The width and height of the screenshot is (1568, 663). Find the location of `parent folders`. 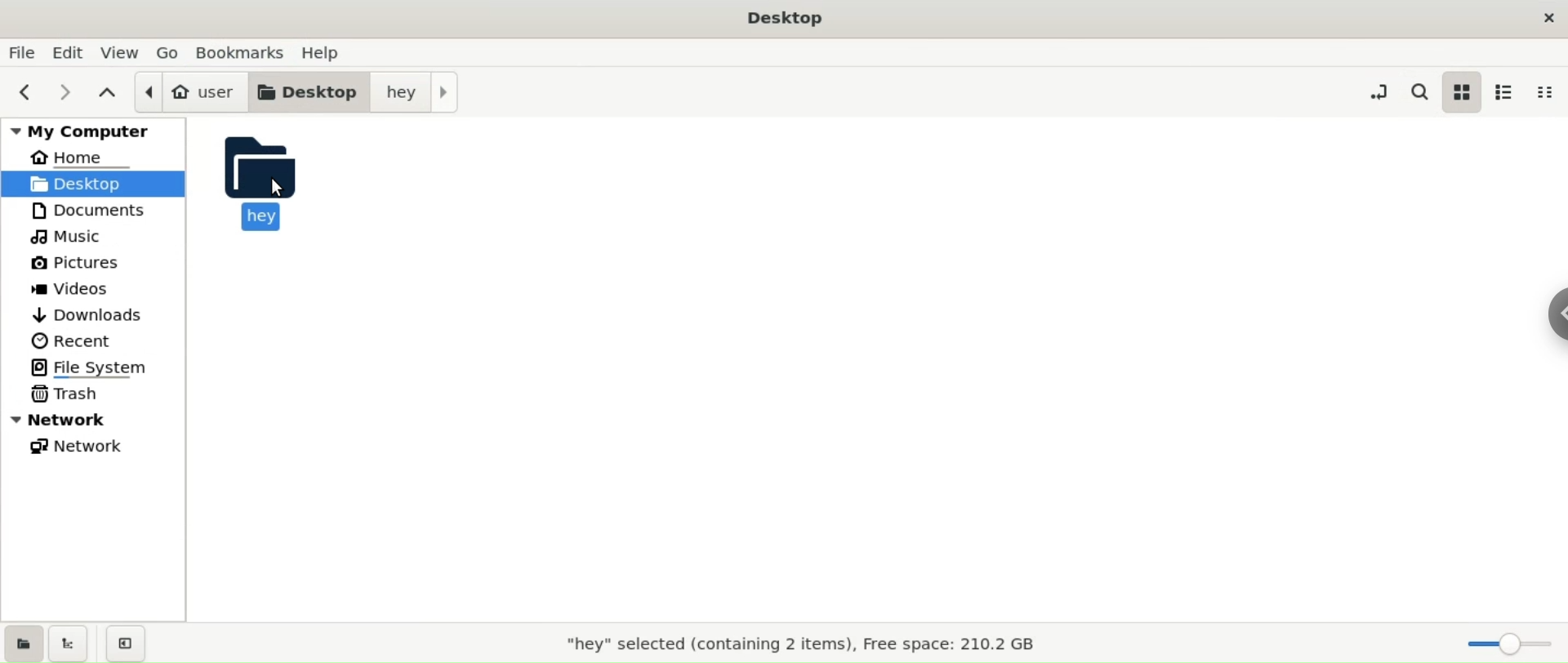

parent folders is located at coordinates (110, 95).